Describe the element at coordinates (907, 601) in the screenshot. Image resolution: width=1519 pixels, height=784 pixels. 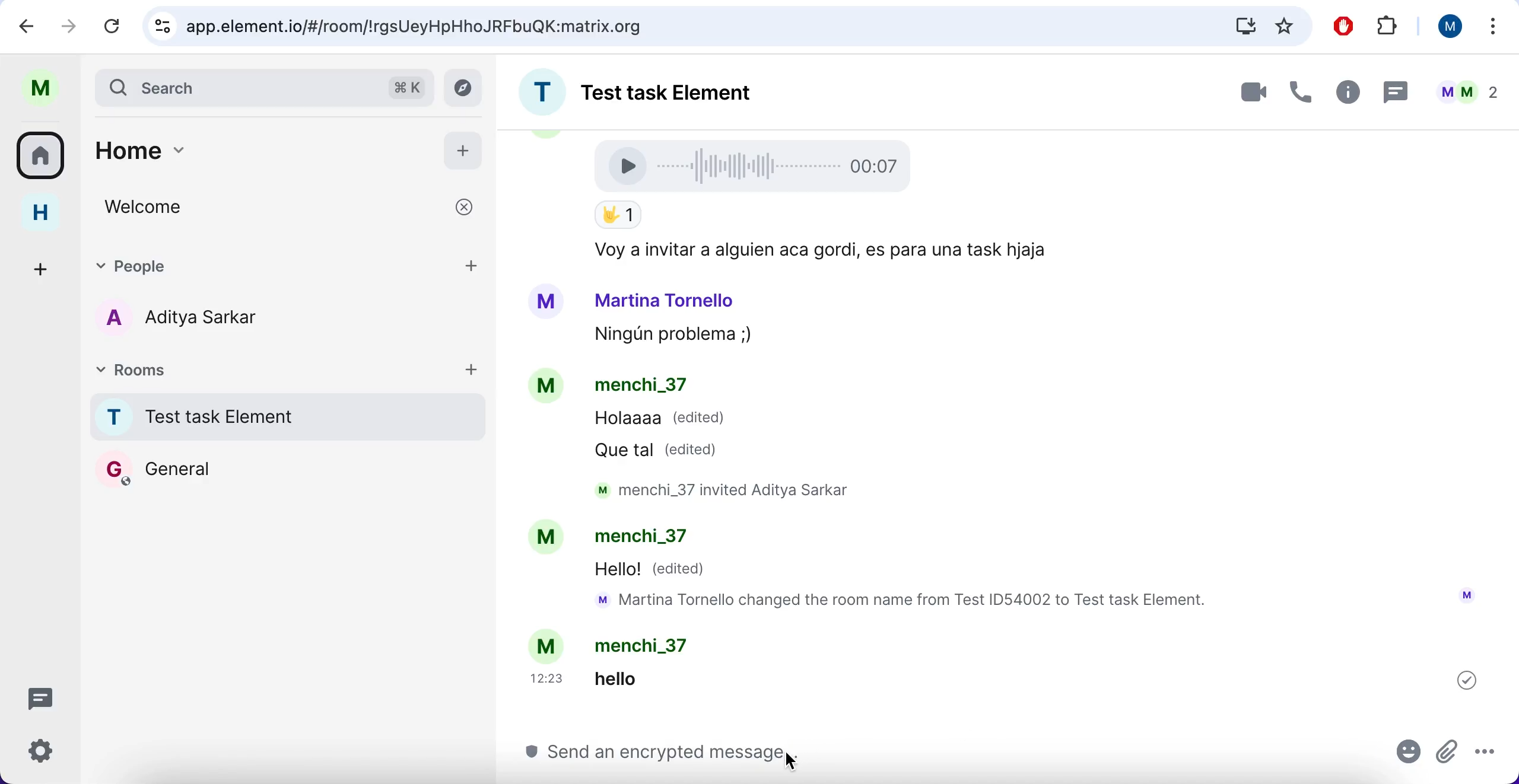
I see `mM Martina Tornello changed the room name from Test ID54002 to Test task Element.` at that location.